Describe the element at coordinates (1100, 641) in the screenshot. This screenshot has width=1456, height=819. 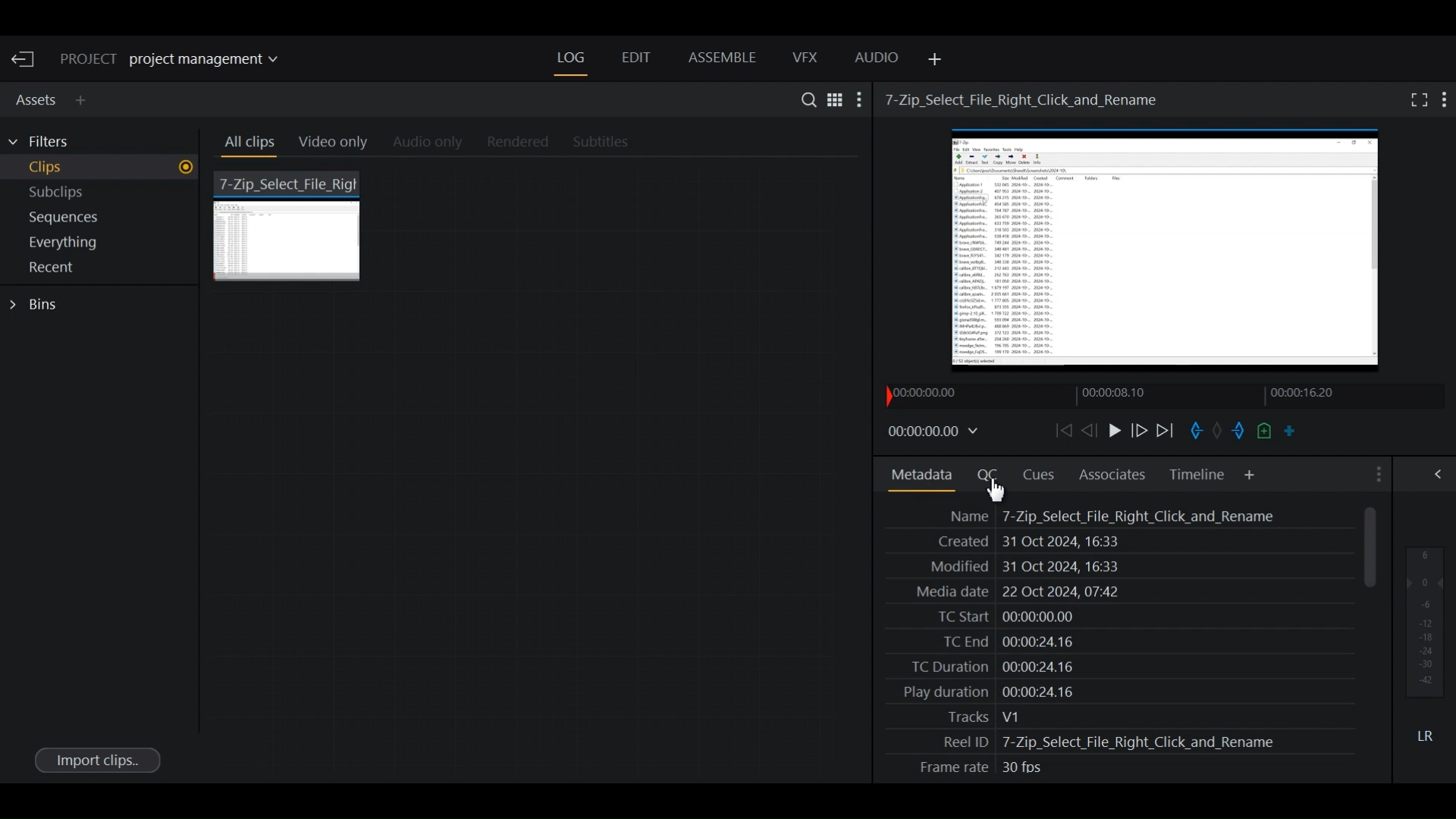
I see `TC Date` at that location.